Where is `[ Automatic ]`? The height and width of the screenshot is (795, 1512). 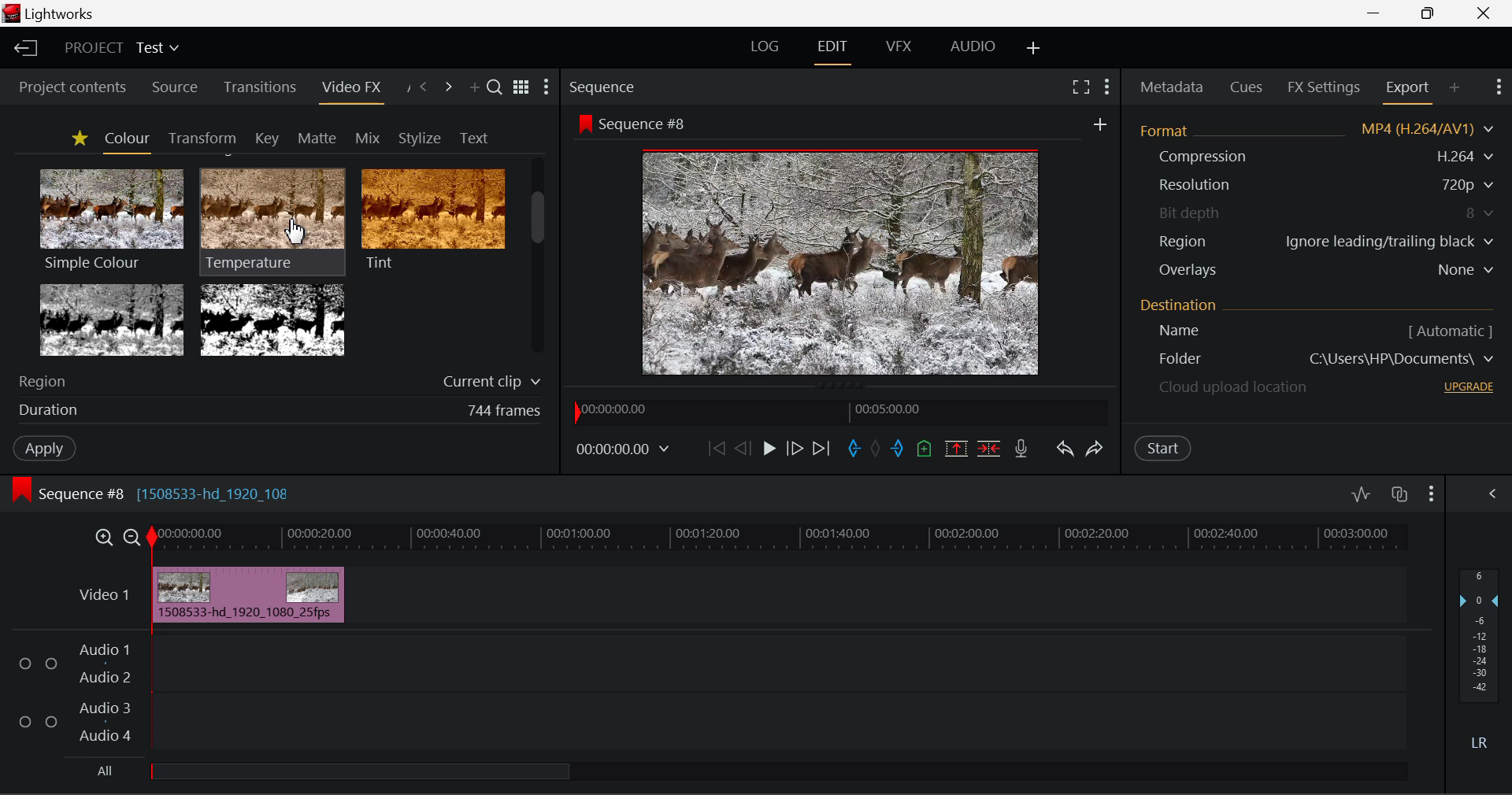 [ Automatic ] is located at coordinates (1451, 331).